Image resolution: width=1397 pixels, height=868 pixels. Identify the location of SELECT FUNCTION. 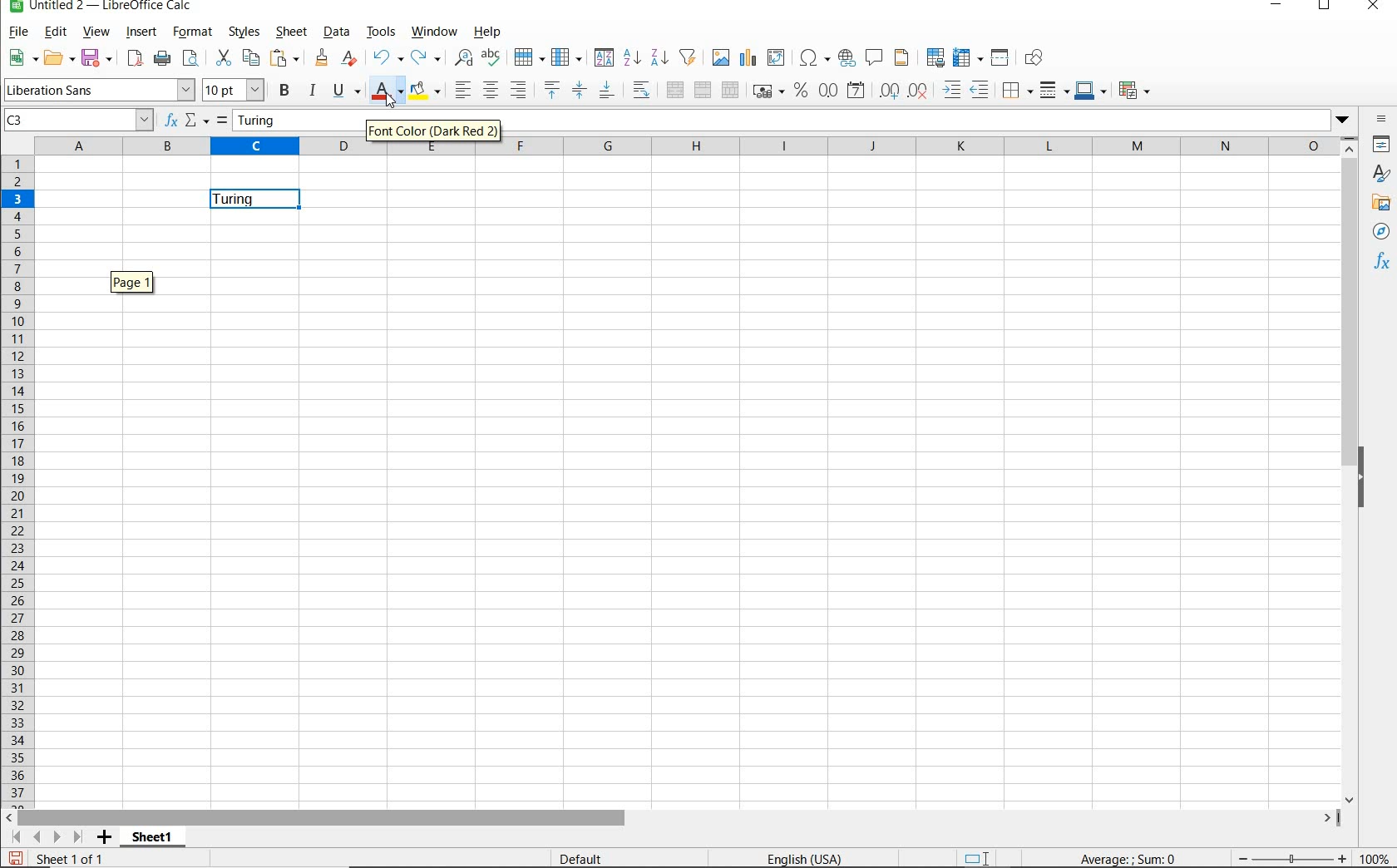
(197, 122).